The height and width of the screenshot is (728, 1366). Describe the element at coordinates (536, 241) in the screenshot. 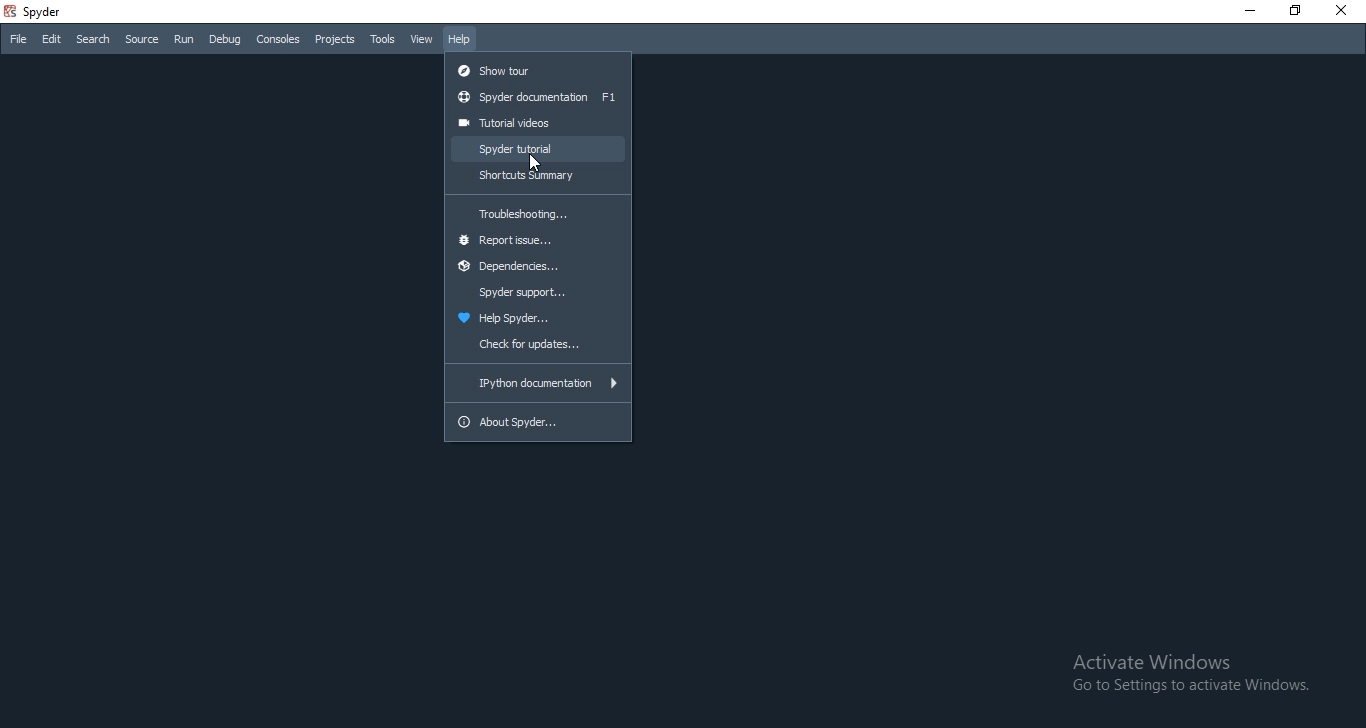

I see `report issue` at that location.